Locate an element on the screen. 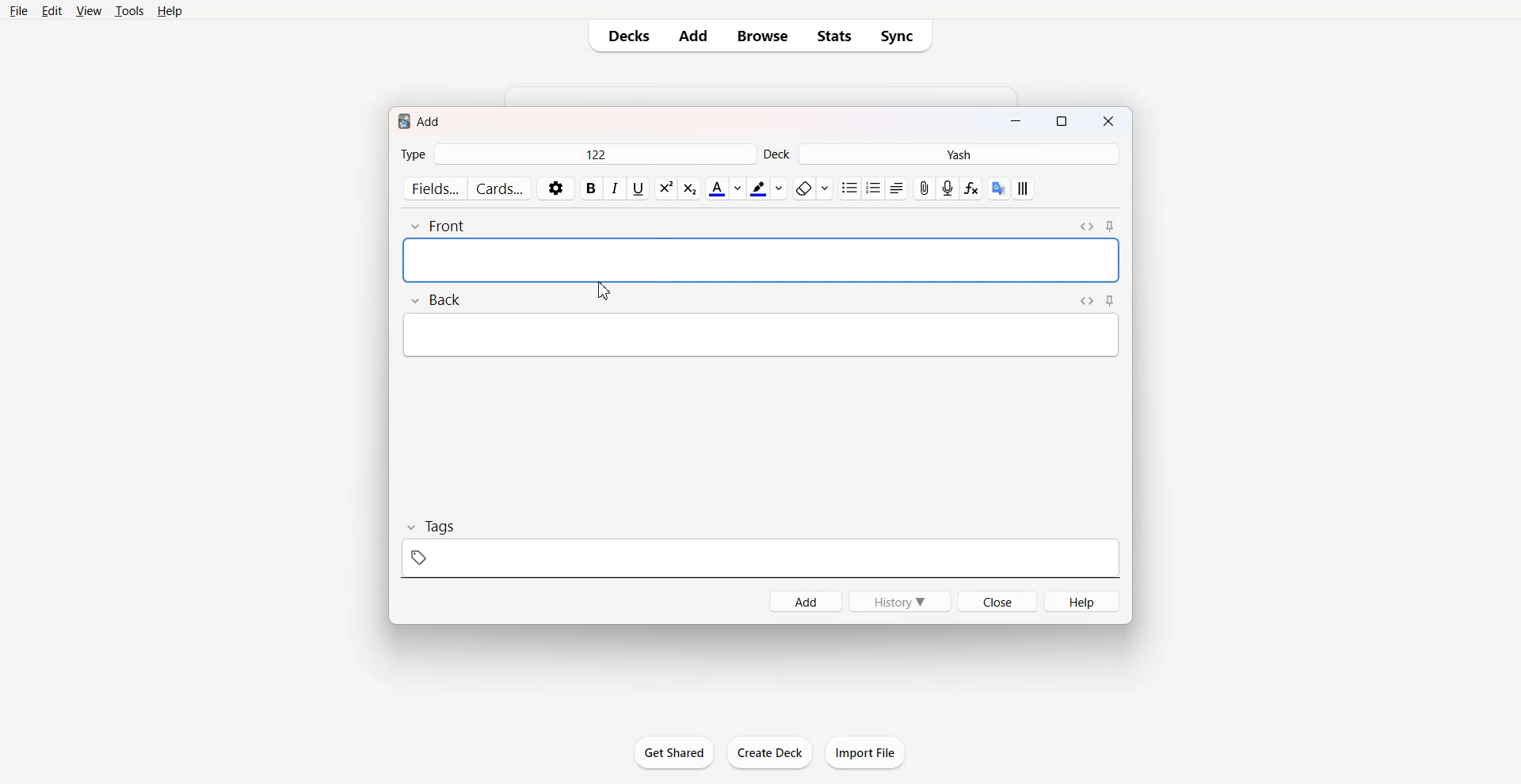  Tags is located at coordinates (761, 548).